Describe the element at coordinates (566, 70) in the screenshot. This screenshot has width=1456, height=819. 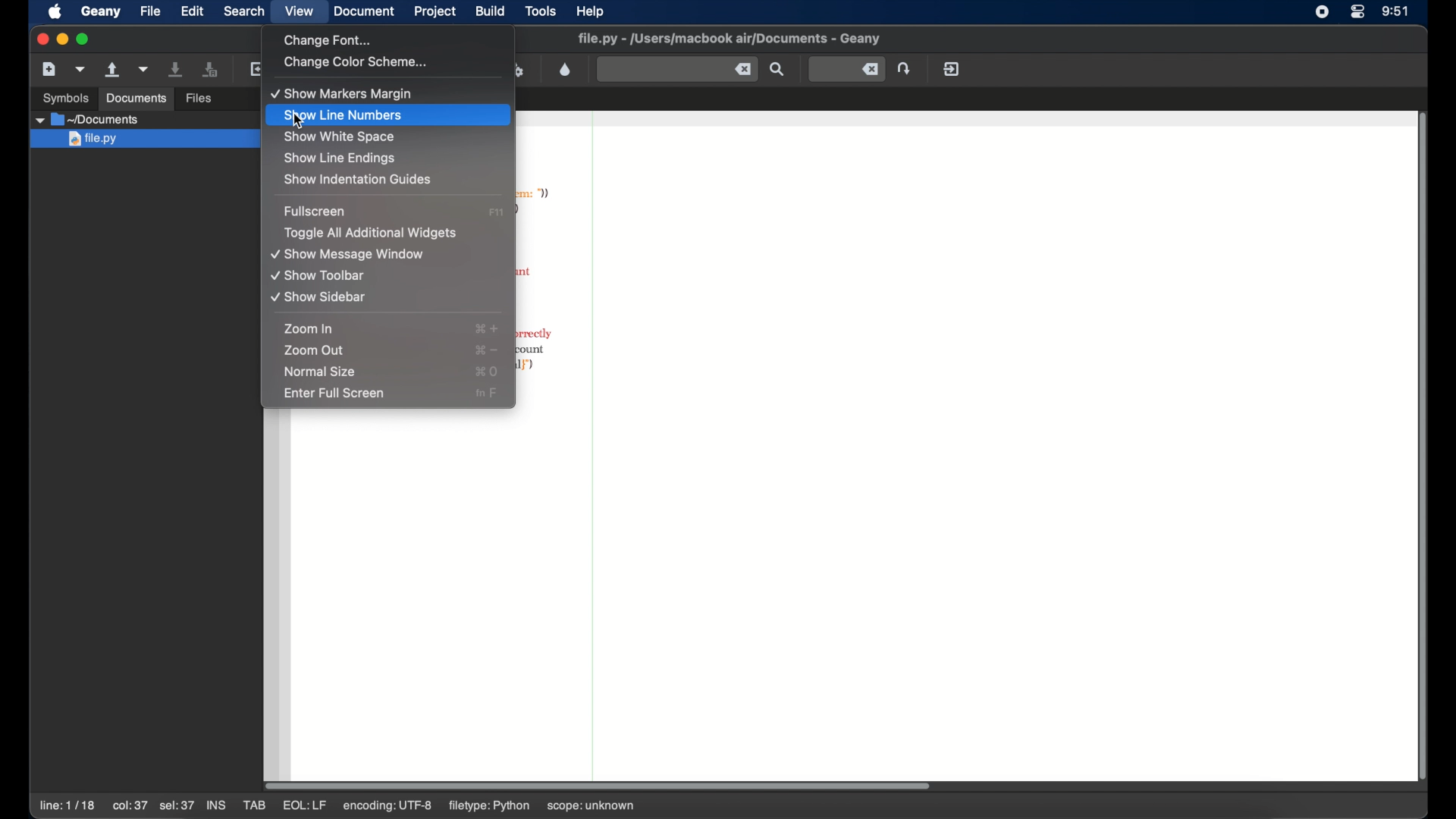
I see `color chooser dialog` at that location.